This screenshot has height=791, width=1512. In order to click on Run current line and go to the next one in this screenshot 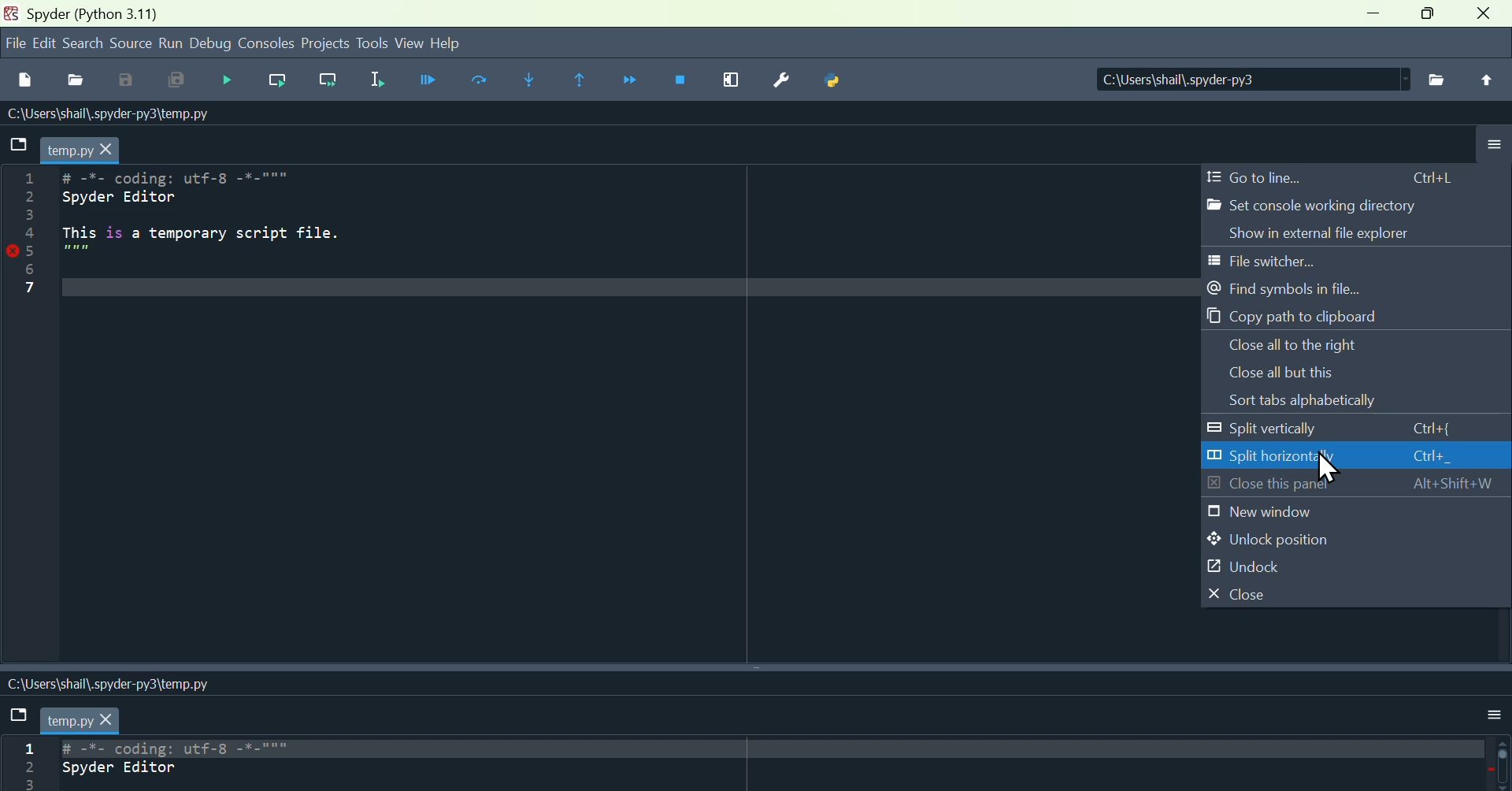, I will do `click(327, 83)`.